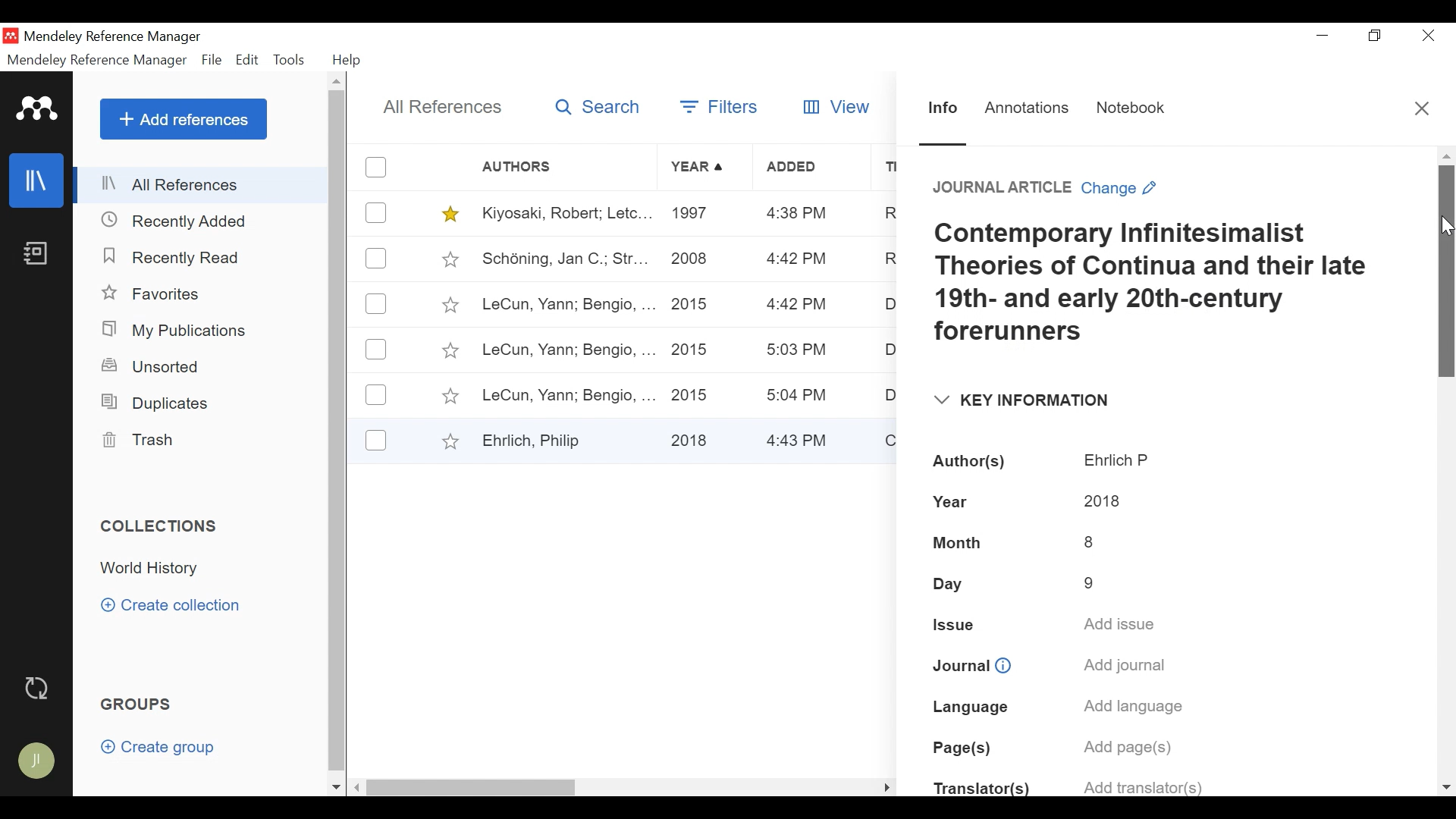 The height and width of the screenshot is (819, 1456). Describe the element at coordinates (798, 215) in the screenshot. I see `4:38 PM` at that location.